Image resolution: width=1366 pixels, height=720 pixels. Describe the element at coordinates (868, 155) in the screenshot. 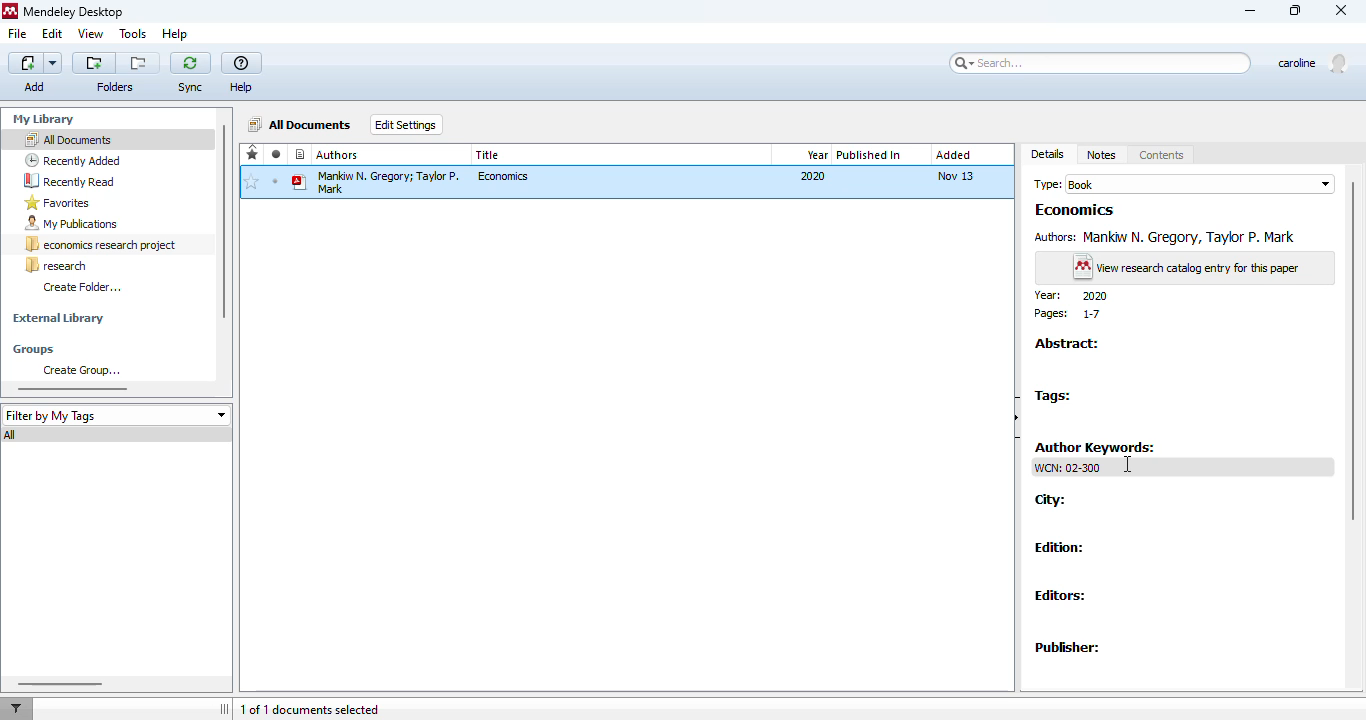

I see `published in` at that location.